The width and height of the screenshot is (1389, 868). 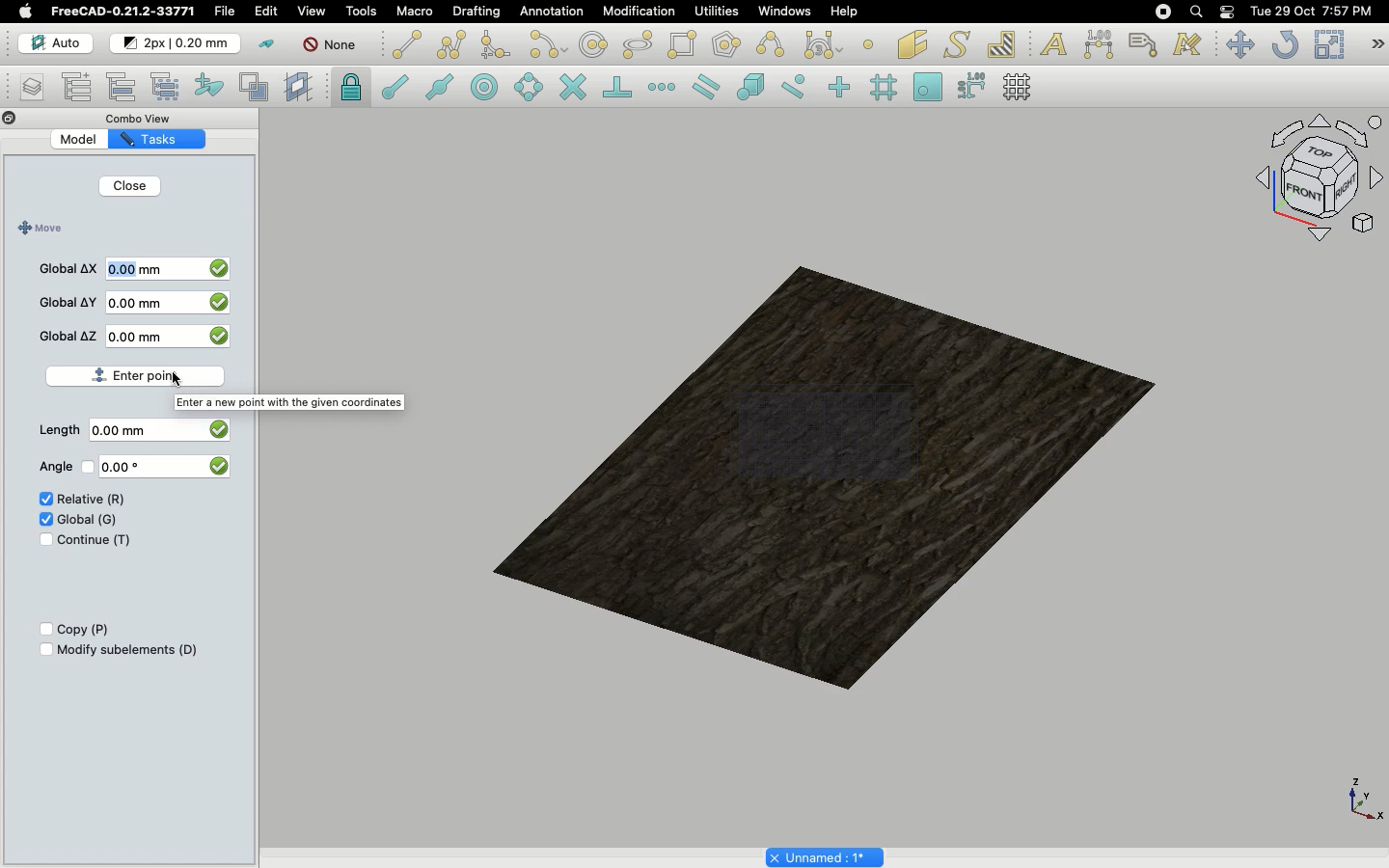 What do you see at coordinates (972, 87) in the screenshot?
I see `Snap dimensions` at bounding box center [972, 87].